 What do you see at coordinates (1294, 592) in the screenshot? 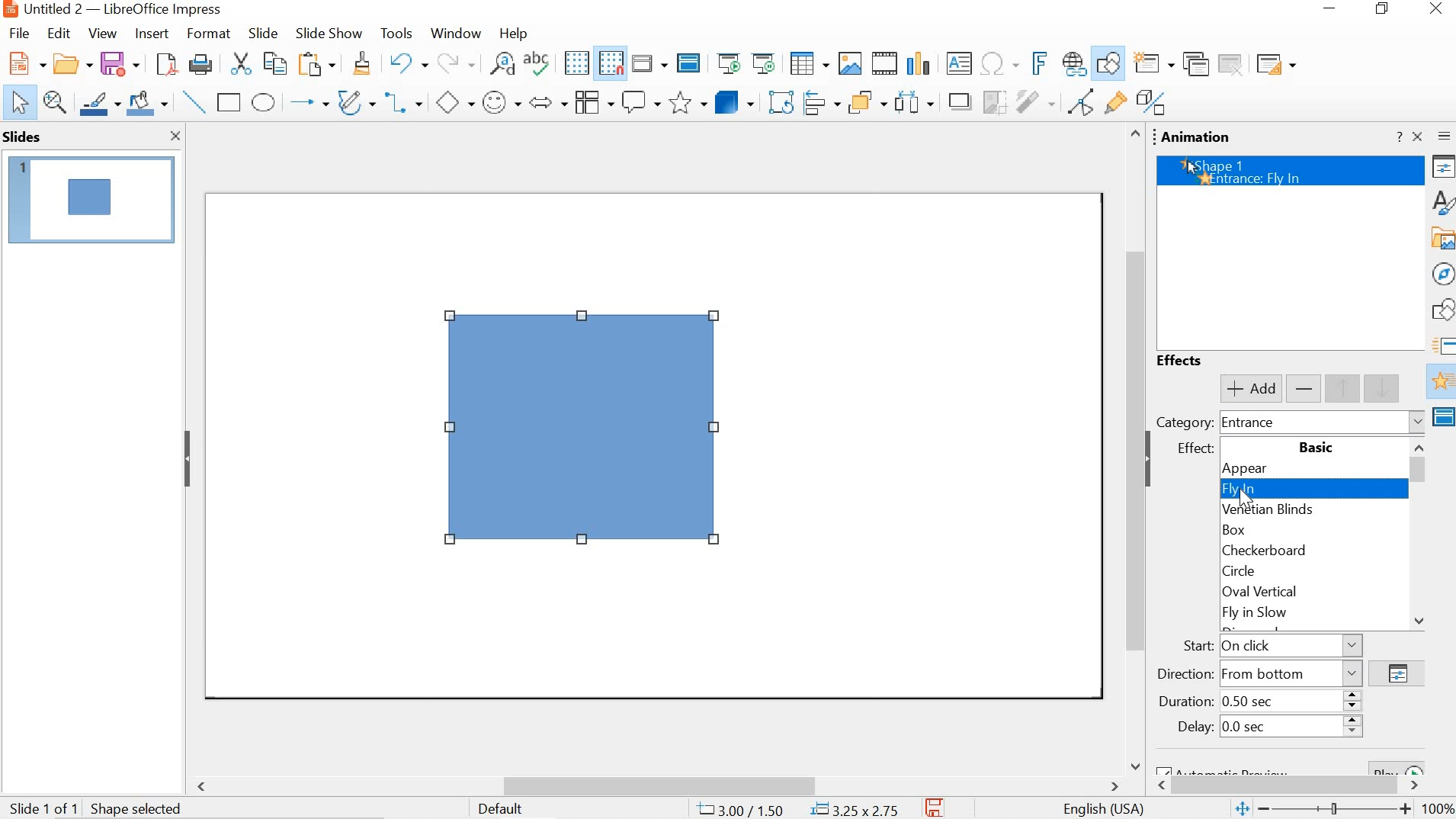
I see `oral vertical` at bounding box center [1294, 592].